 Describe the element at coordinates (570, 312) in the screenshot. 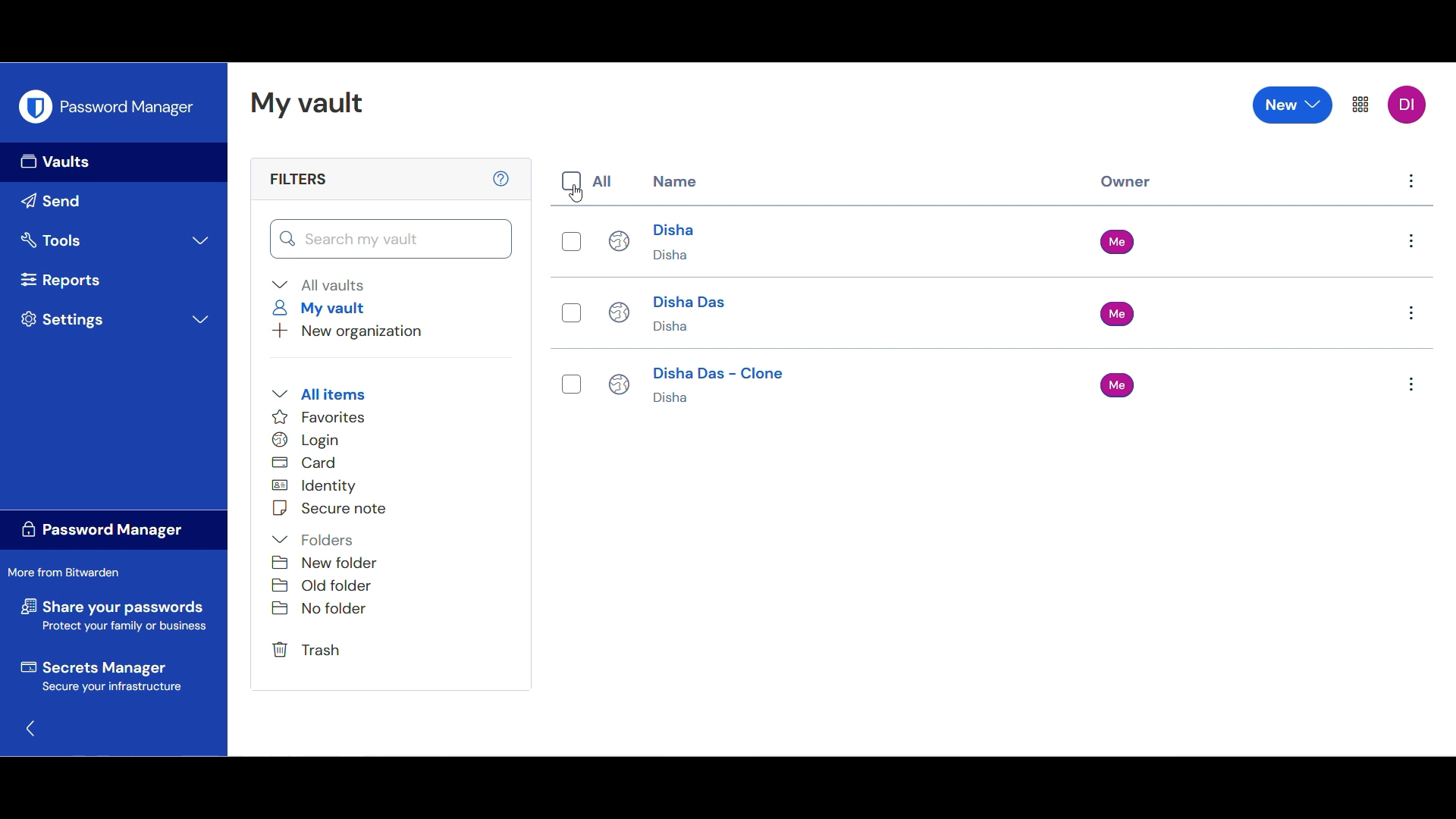

I see `Indicates toggle on/off` at that location.